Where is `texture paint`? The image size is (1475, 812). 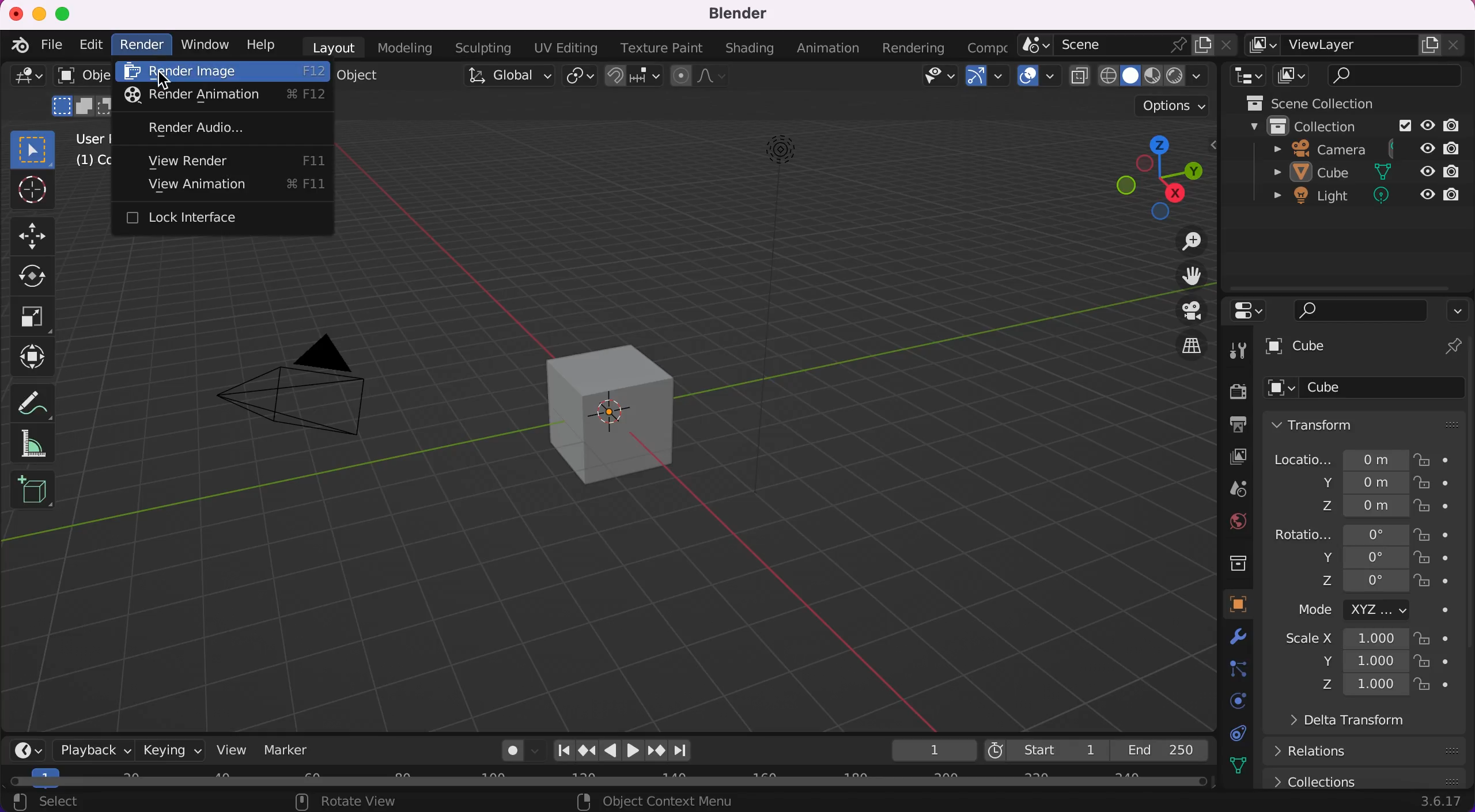 texture paint is located at coordinates (665, 49).